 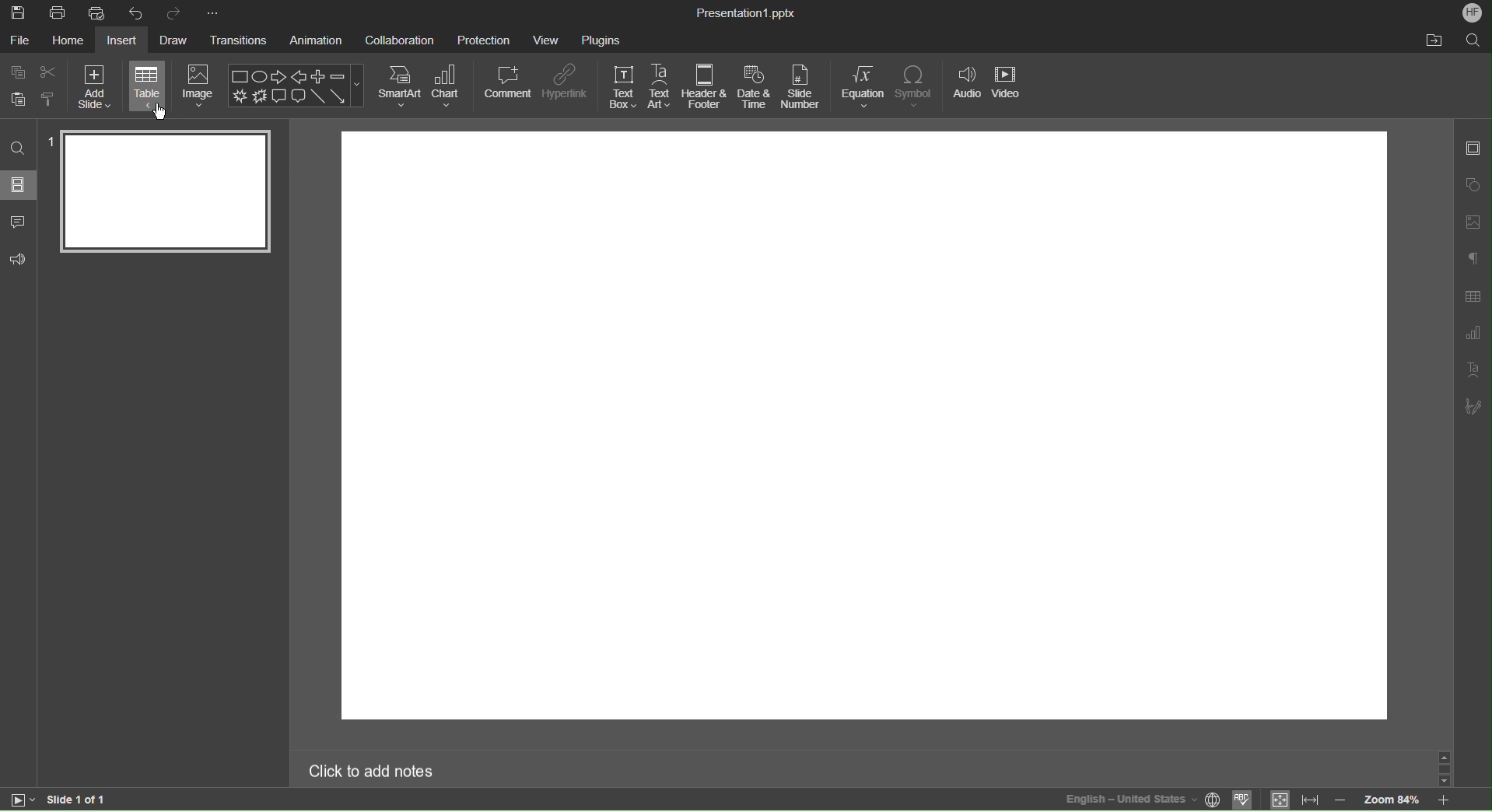 What do you see at coordinates (16, 100) in the screenshot?
I see `Paste` at bounding box center [16, 100].